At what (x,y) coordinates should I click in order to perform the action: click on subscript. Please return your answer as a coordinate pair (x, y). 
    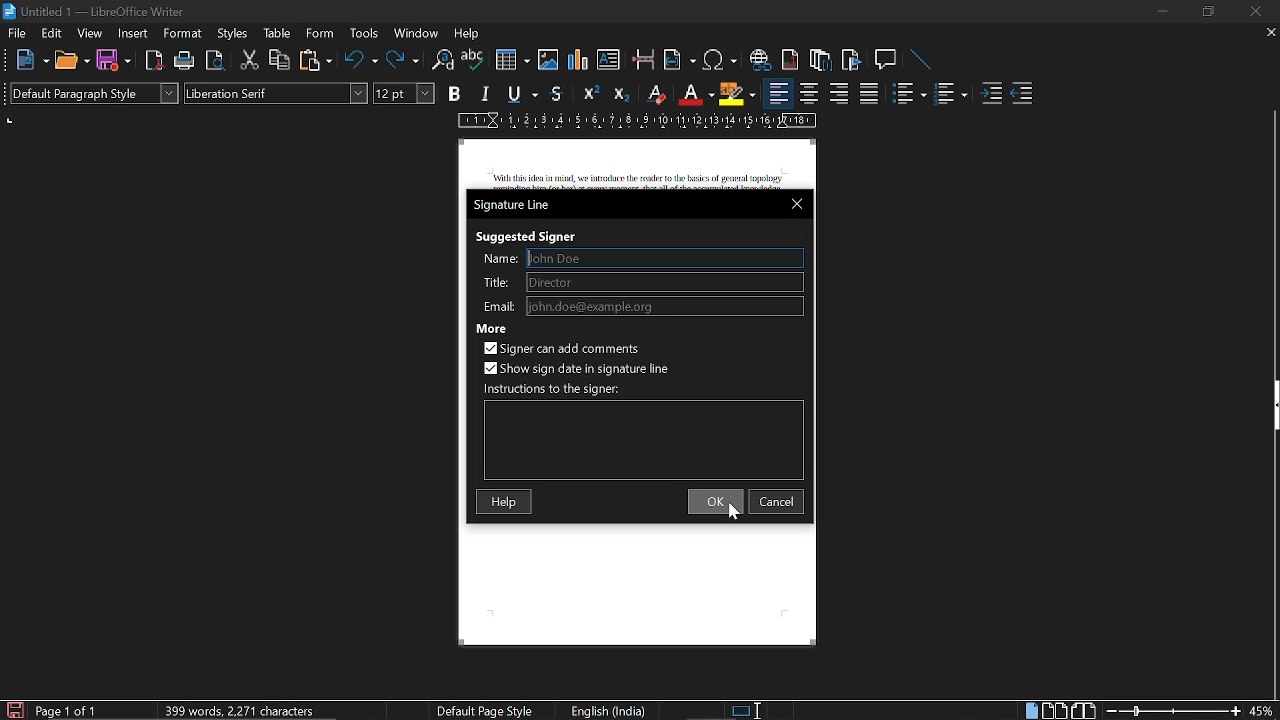
    Looking at the image, I should click on (623, 93).